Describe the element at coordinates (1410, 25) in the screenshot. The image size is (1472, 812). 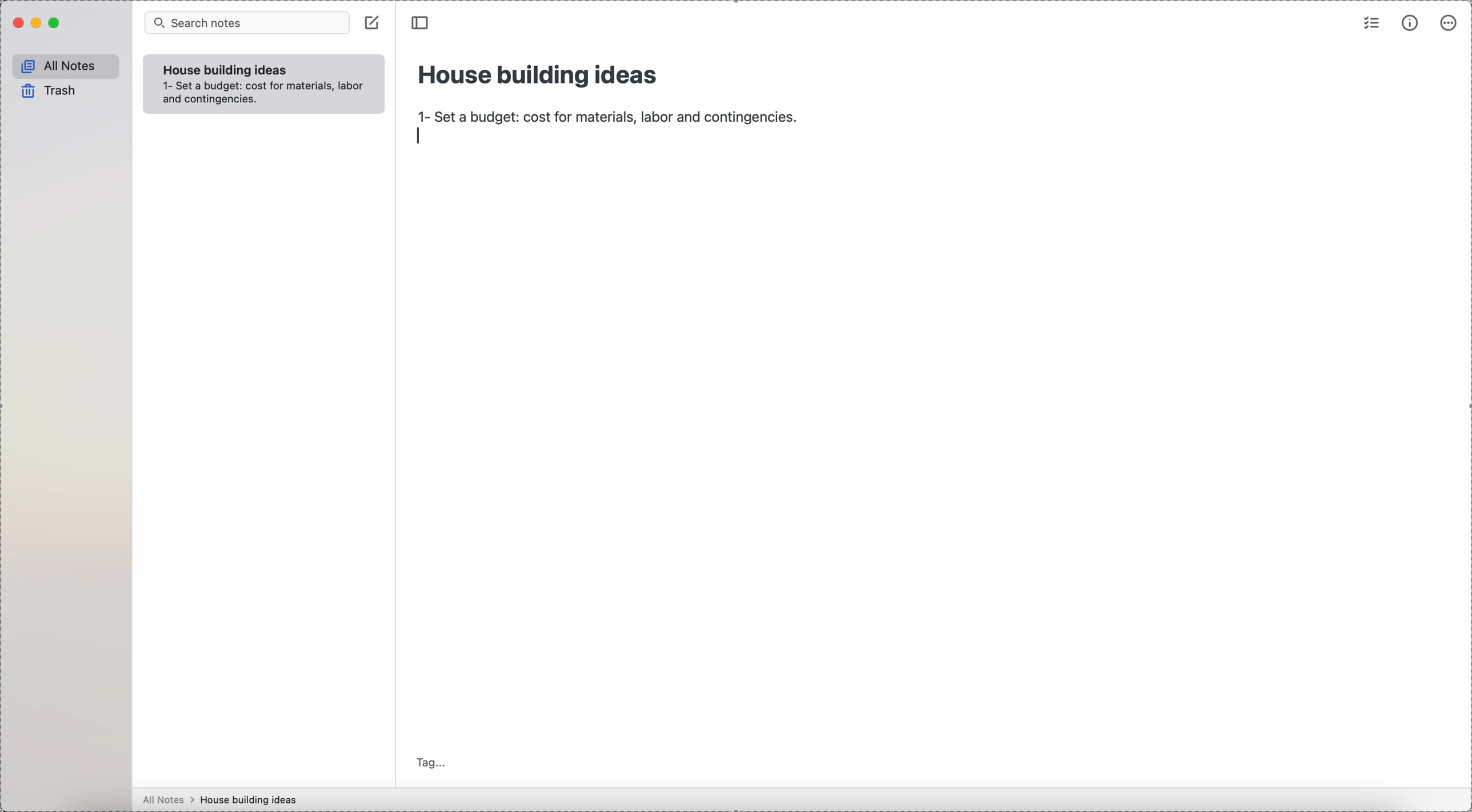
I see `metrics` at that location.